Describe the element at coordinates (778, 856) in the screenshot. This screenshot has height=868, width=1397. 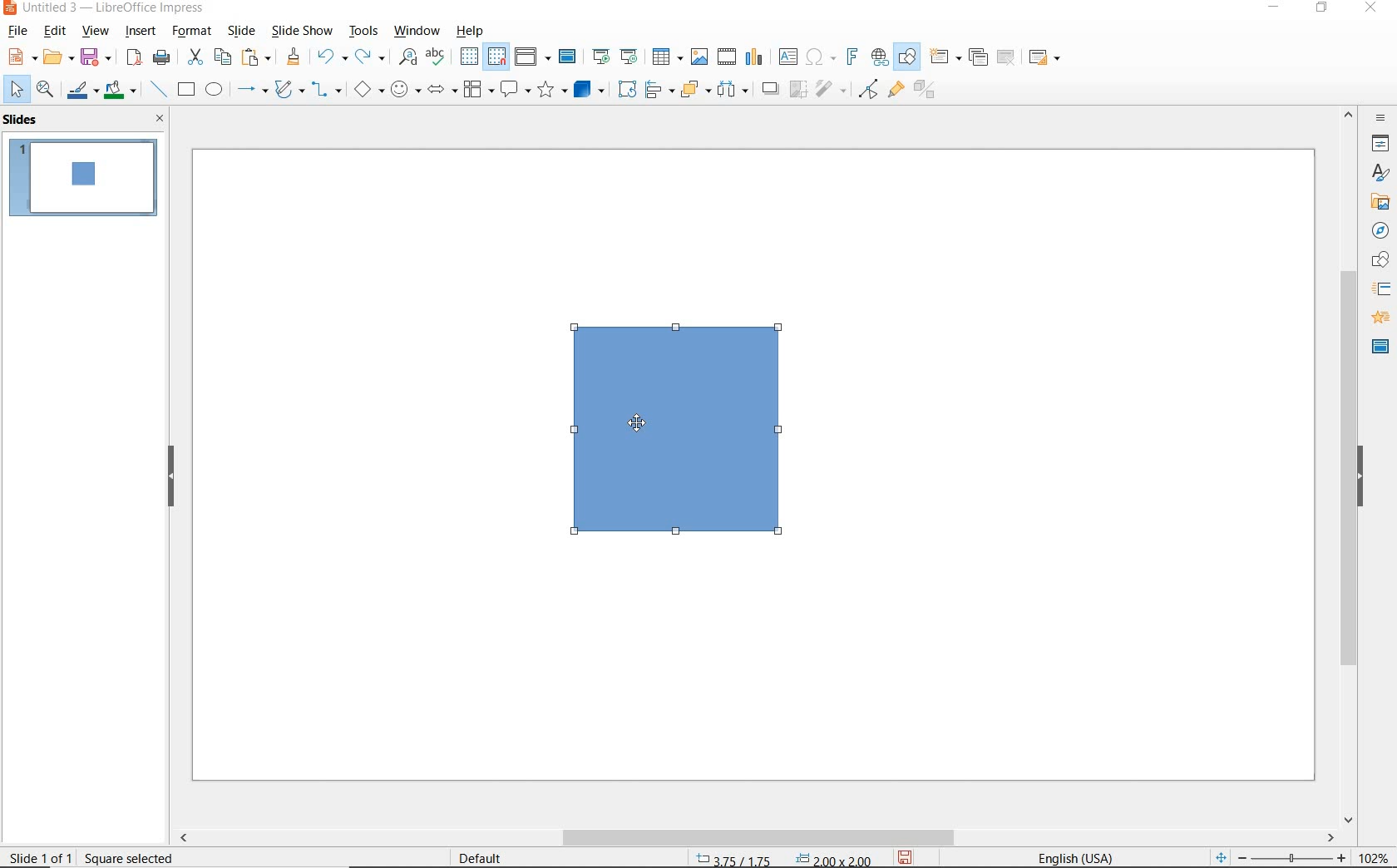
I see `position and size` at that location.